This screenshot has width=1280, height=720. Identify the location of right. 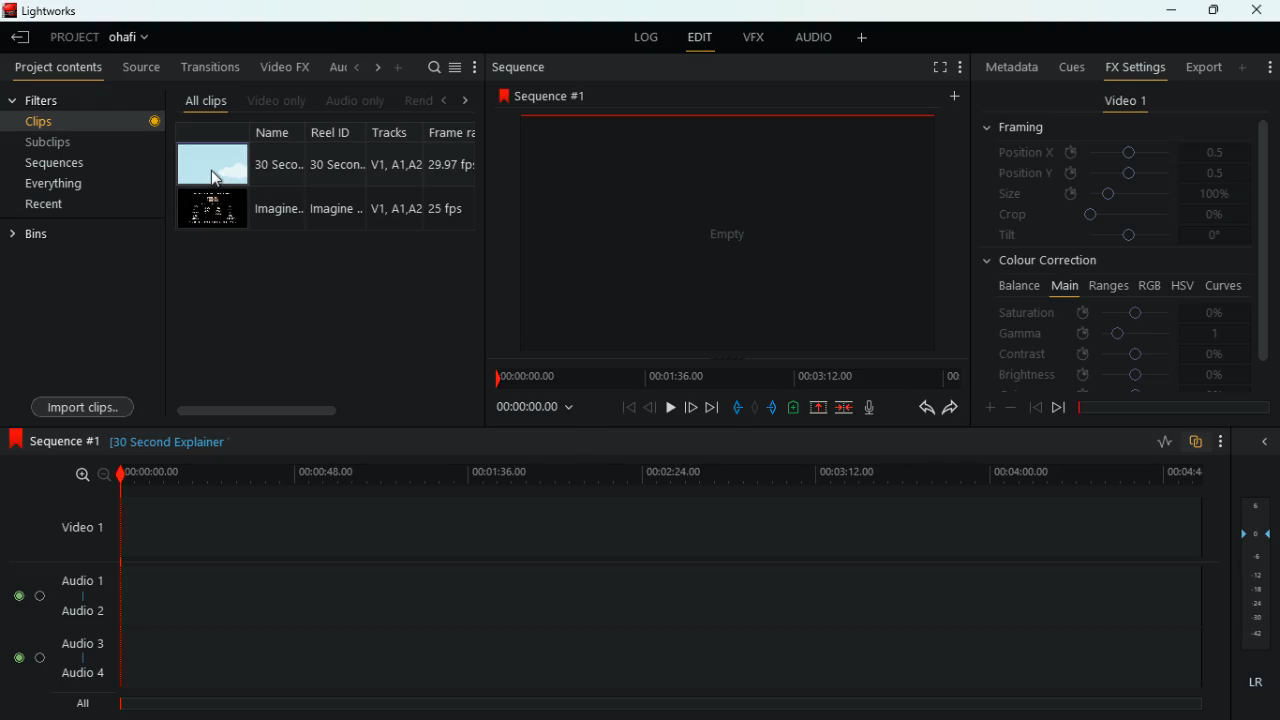
(465, 100).